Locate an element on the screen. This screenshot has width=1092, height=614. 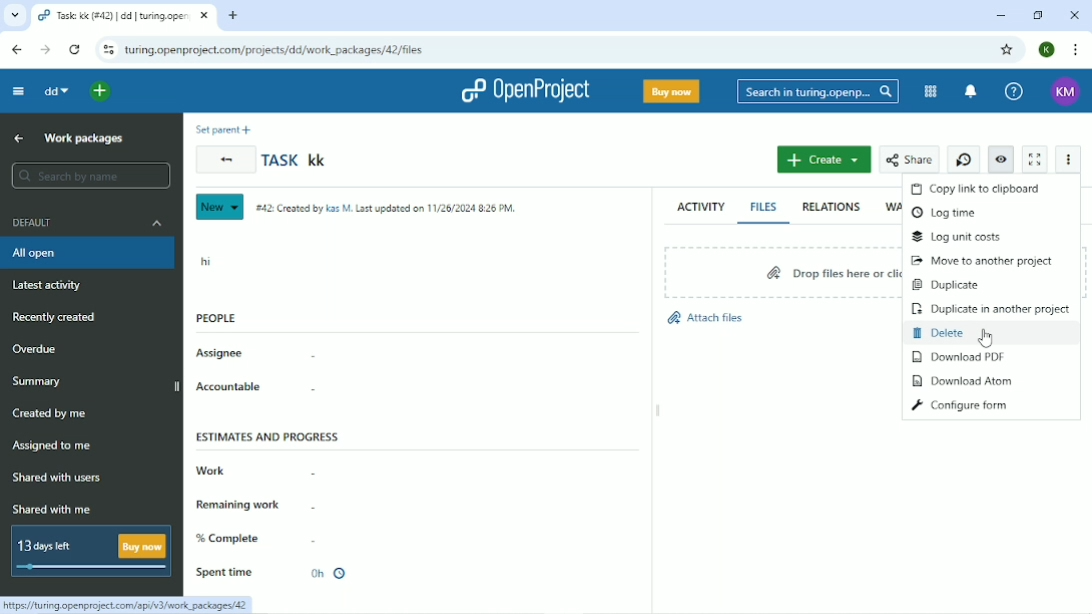
Minimize is located at coordinates (1000, 15).